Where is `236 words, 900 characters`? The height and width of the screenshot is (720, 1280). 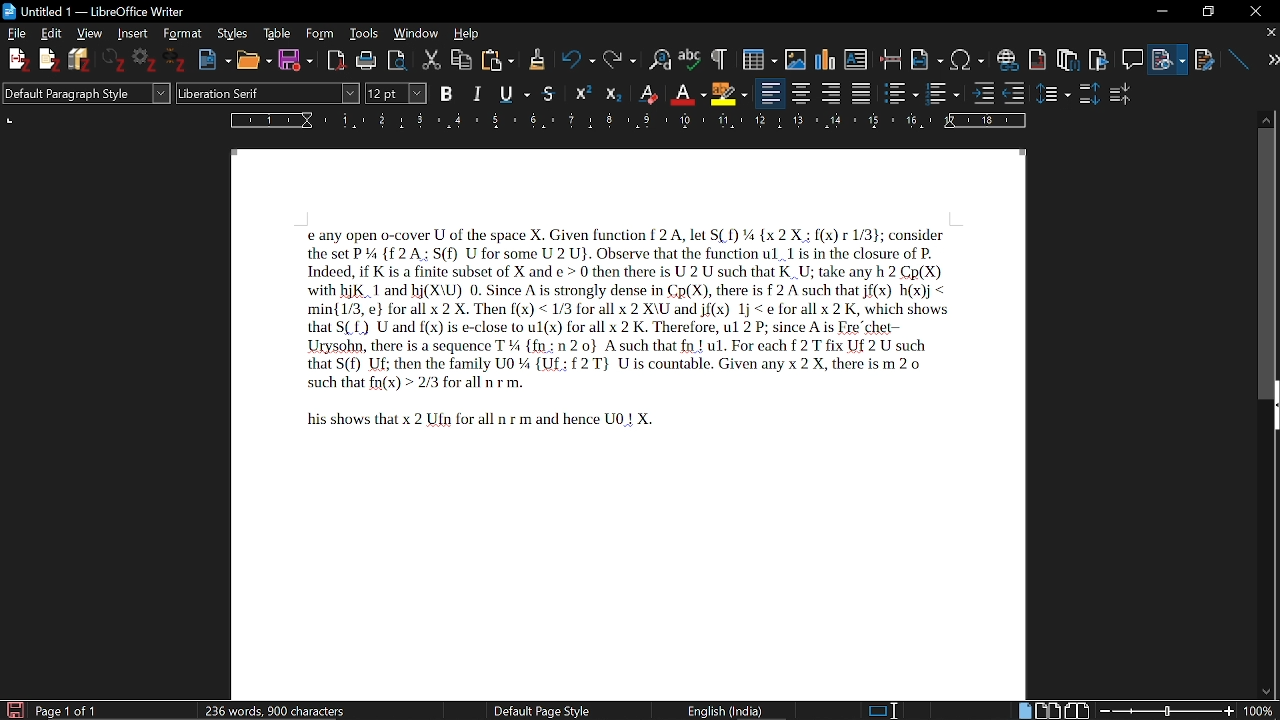 236 words, 900 characters is located at coordinates (276, 707).